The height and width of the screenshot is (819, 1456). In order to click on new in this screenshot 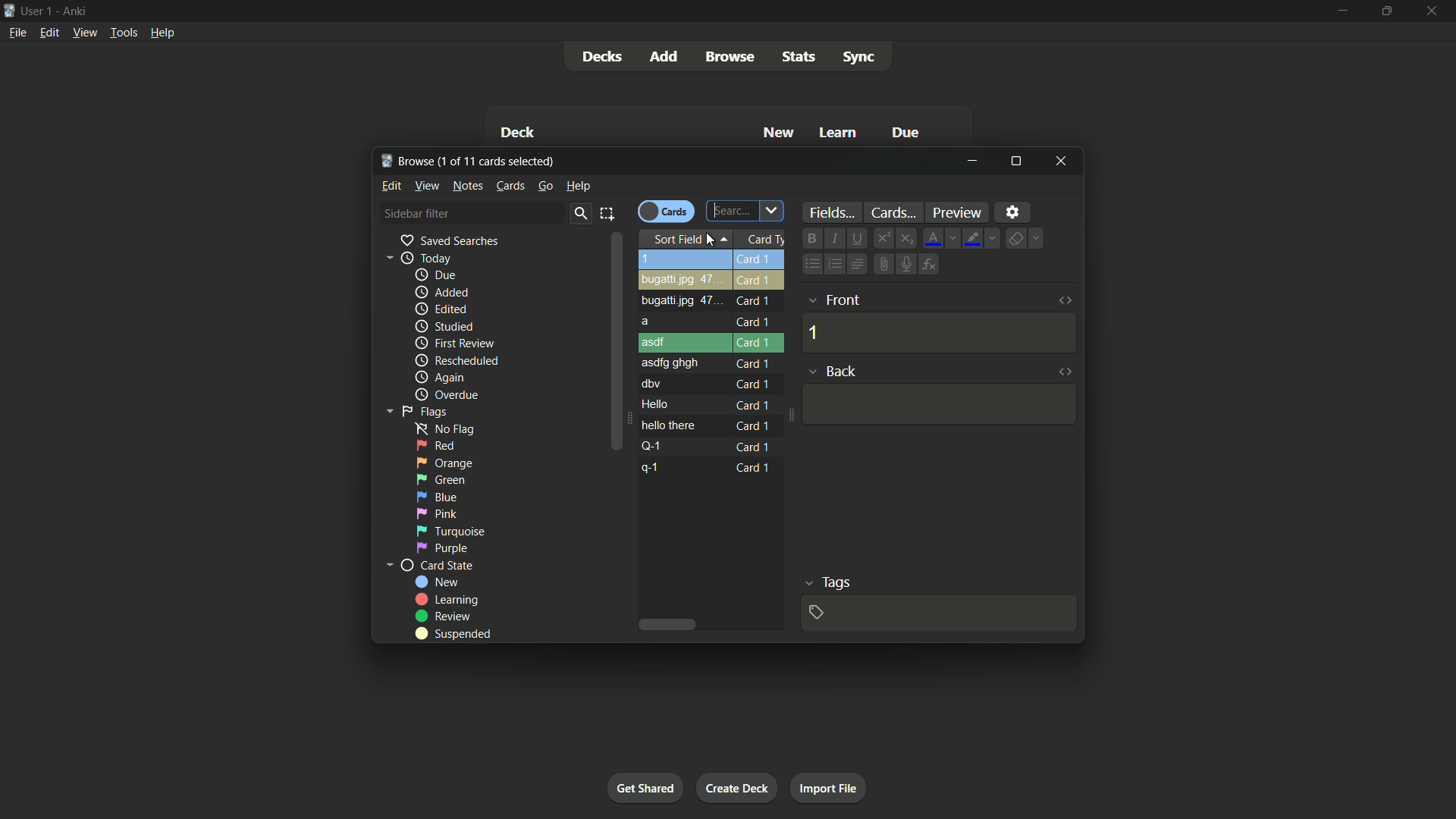, I will do `click(435, 582)`.